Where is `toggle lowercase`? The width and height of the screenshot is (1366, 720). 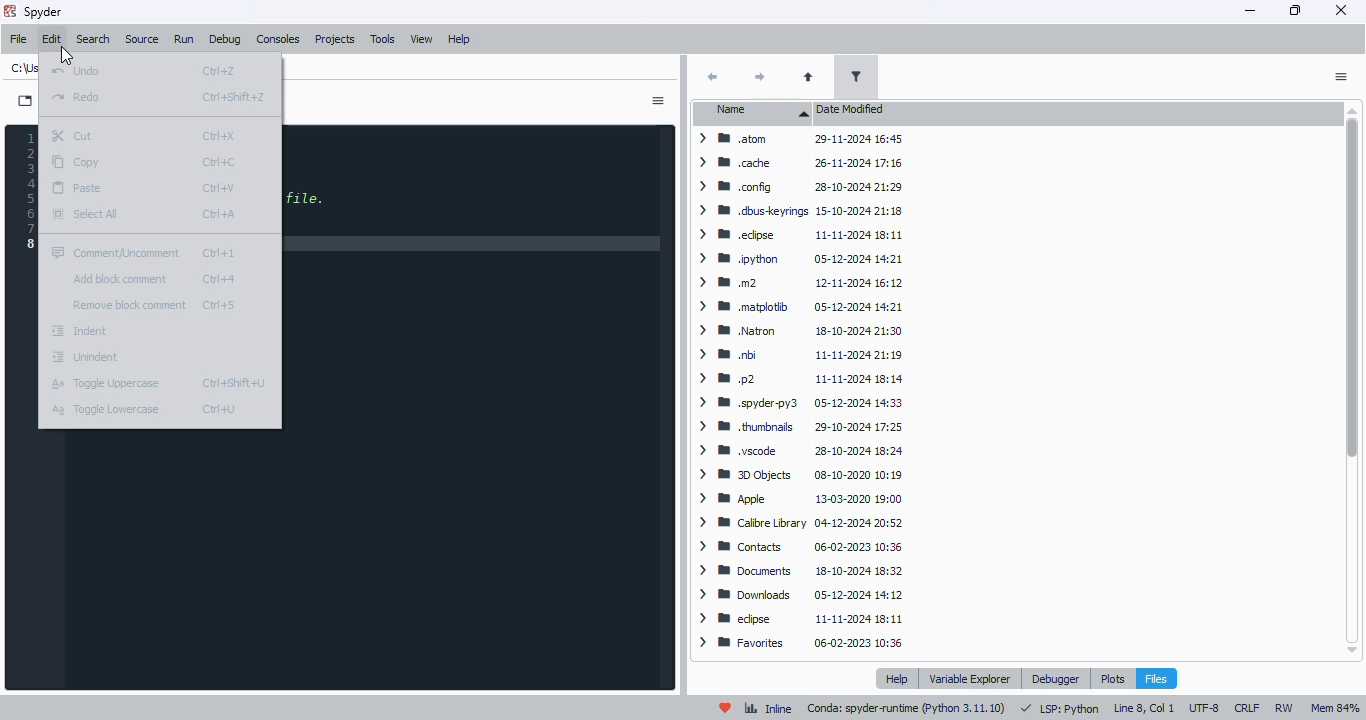 toggle lowercase is located at coordinates (107, 409).